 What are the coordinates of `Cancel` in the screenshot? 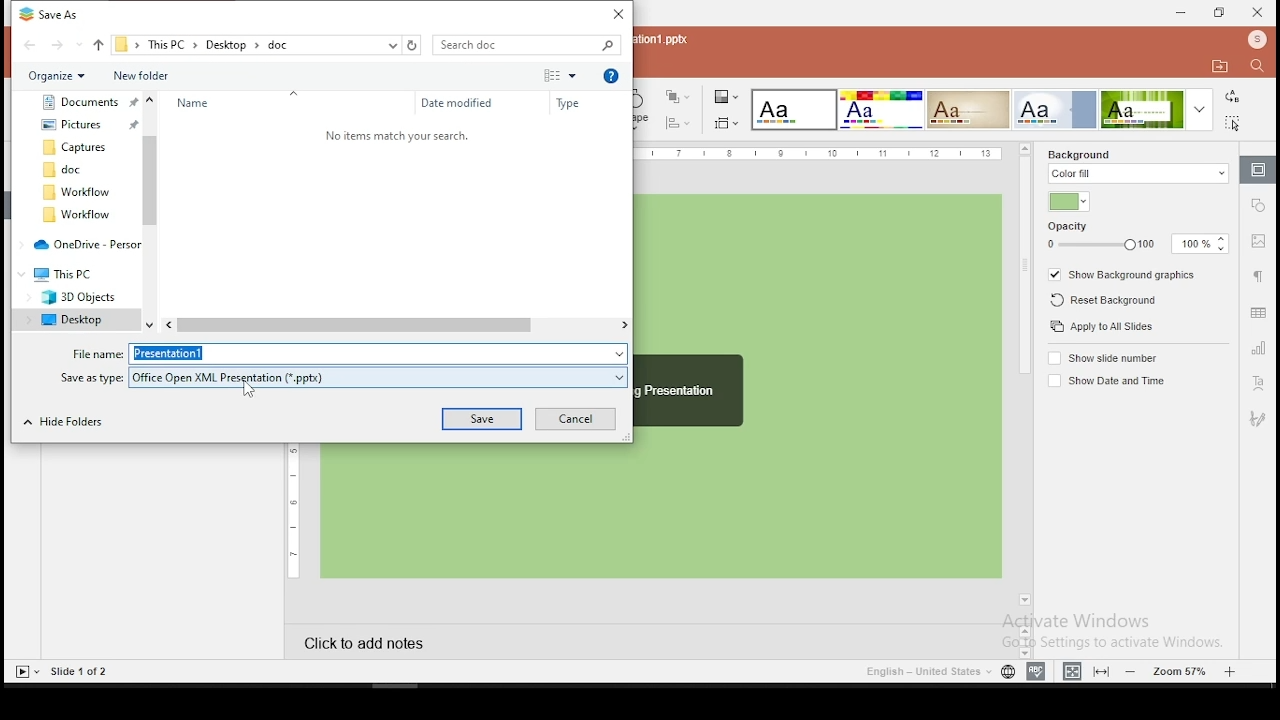 It's located at (573, 419).